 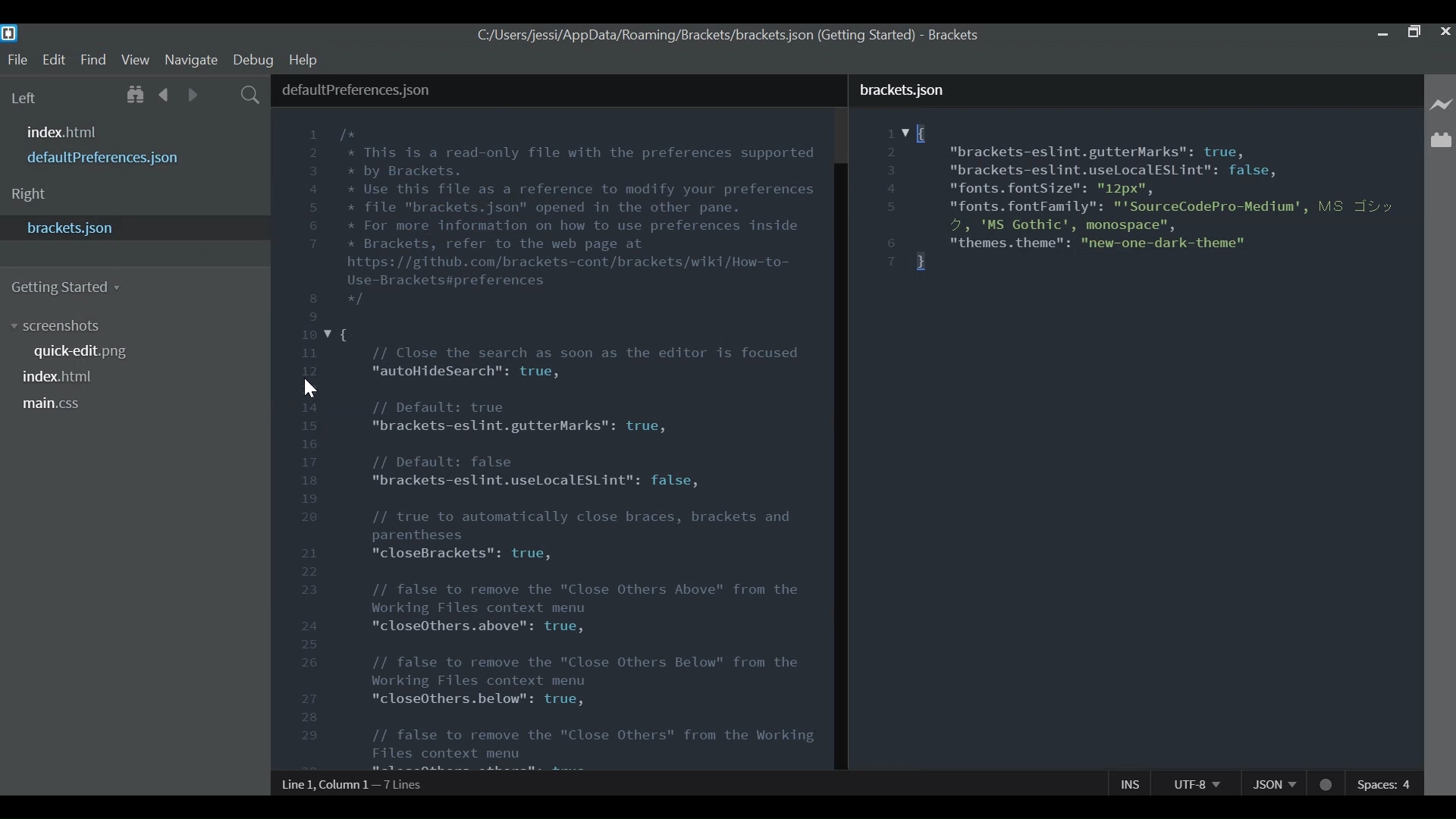 I want to click on main.css, so click(x=62, y=406).